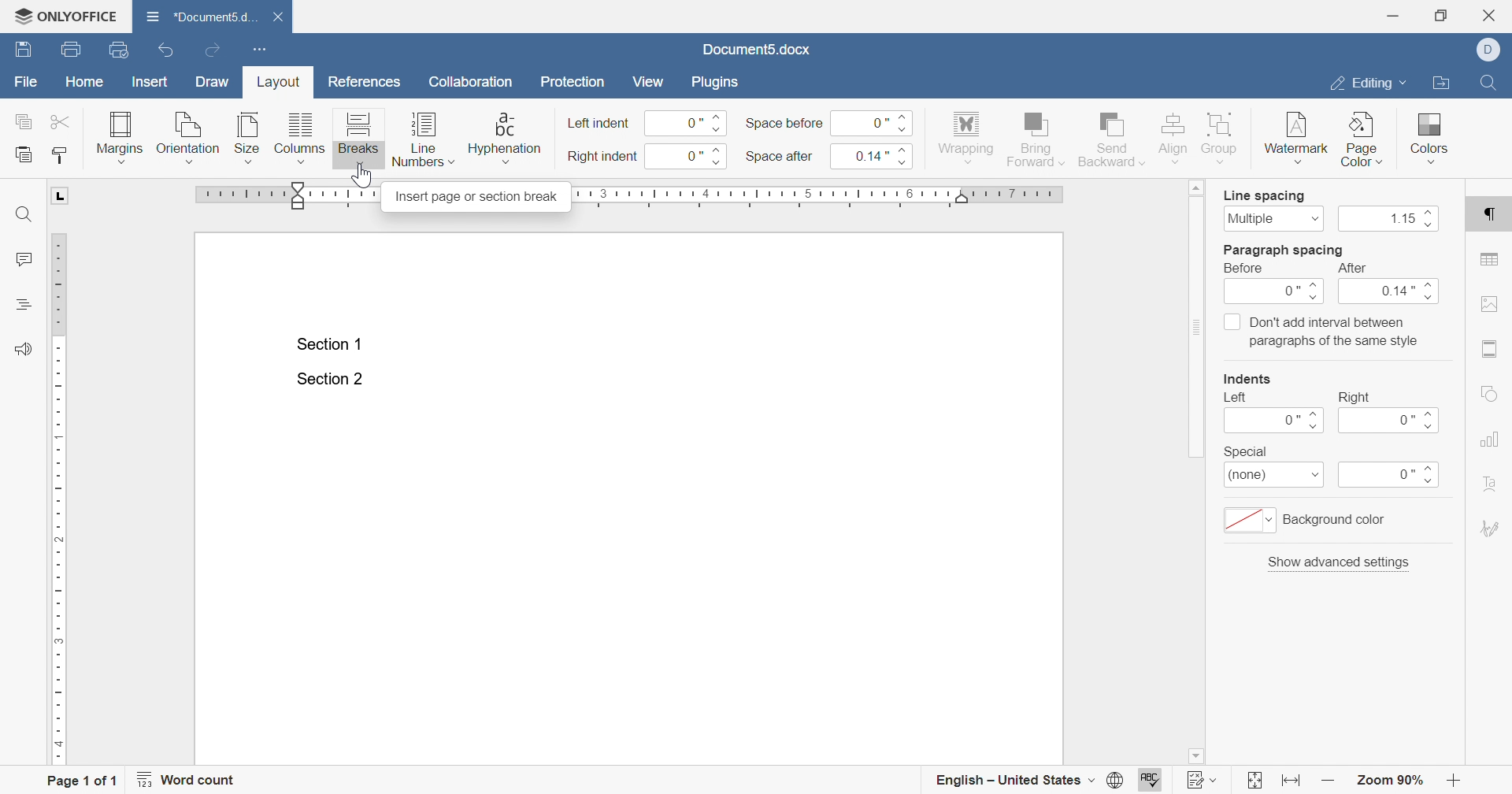 The width and height of the screenshot is (1512, 794). I want to click on ONLYOFFICE, so click(65, 17).